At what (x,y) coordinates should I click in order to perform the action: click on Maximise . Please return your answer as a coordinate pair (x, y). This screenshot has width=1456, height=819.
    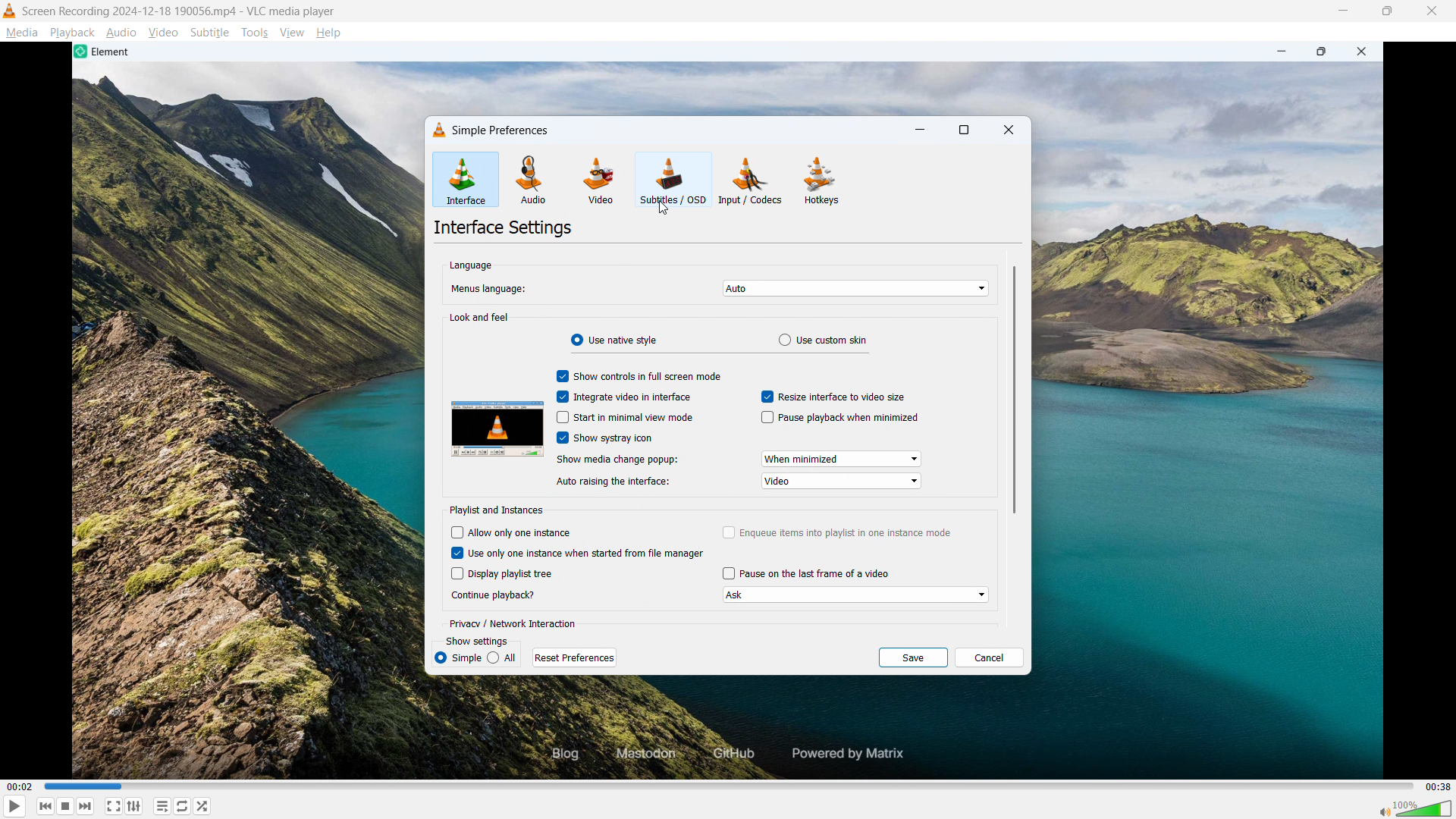
    Looking at the image, I should click on (1386, 11).